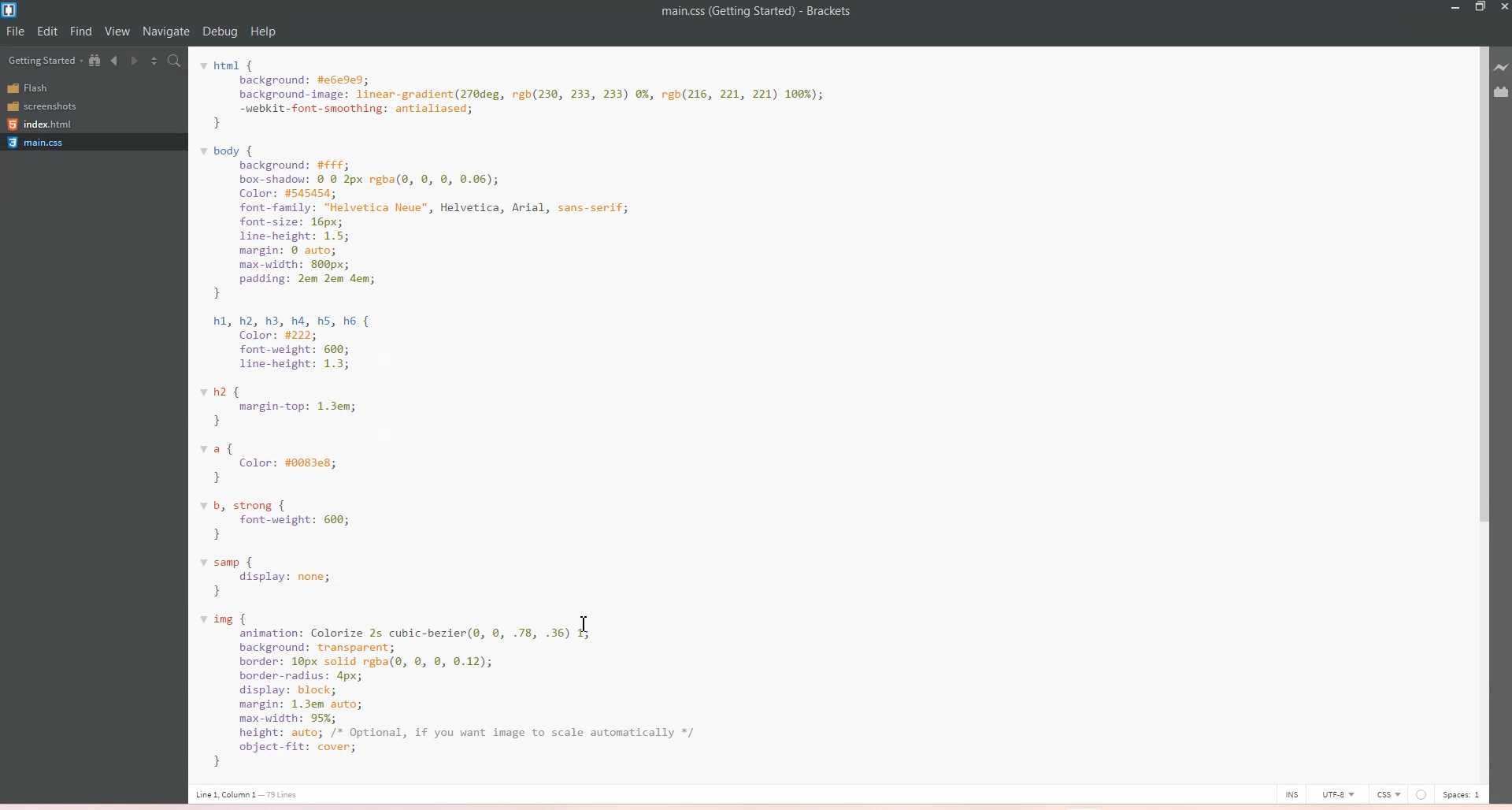 Image resolution: width=1512 pixels, height=810 pixels. I want to click on Split the view vertically and Horizontally, so click(154, 61).